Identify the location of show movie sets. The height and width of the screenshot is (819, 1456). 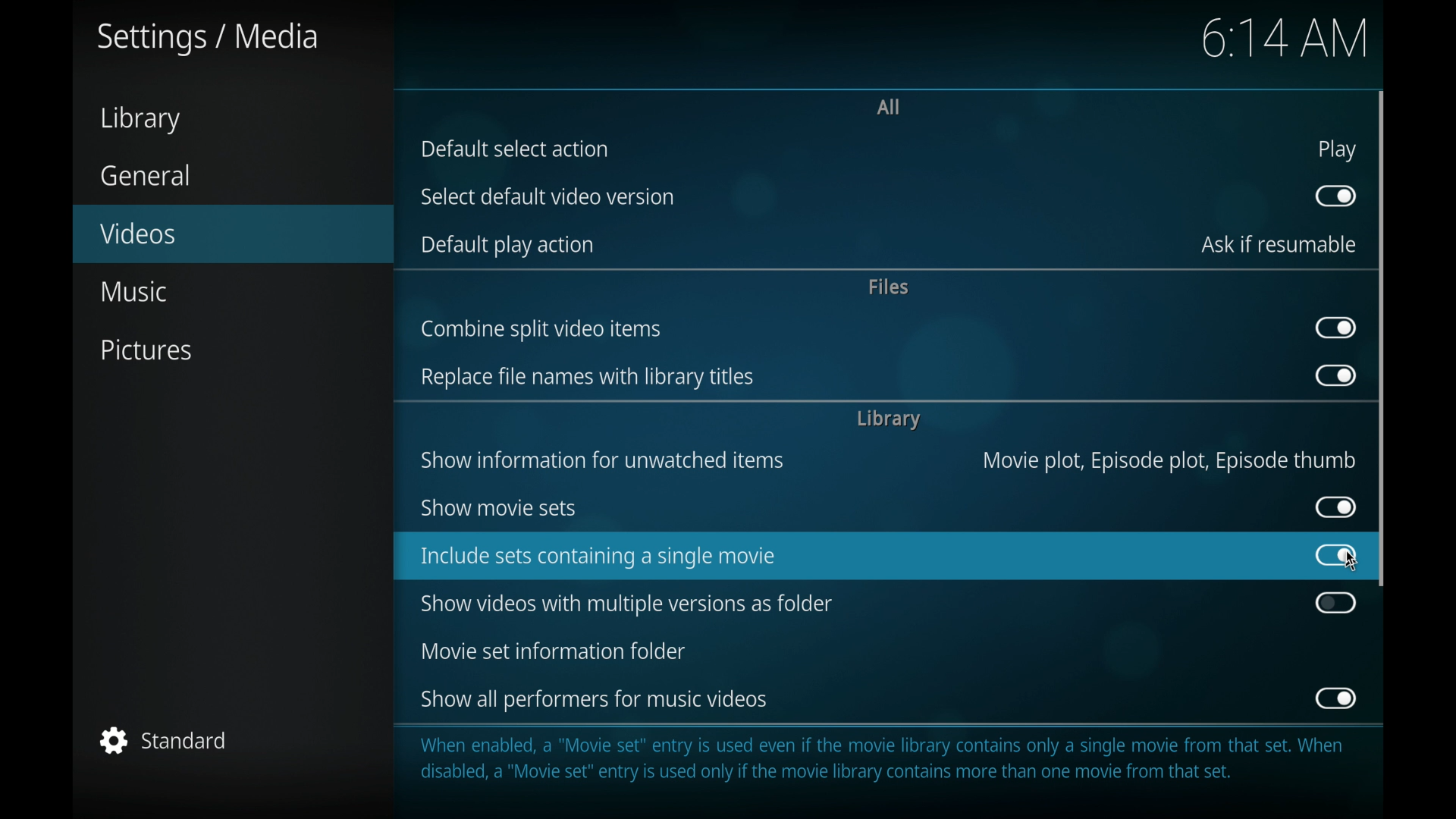
(499, 509).